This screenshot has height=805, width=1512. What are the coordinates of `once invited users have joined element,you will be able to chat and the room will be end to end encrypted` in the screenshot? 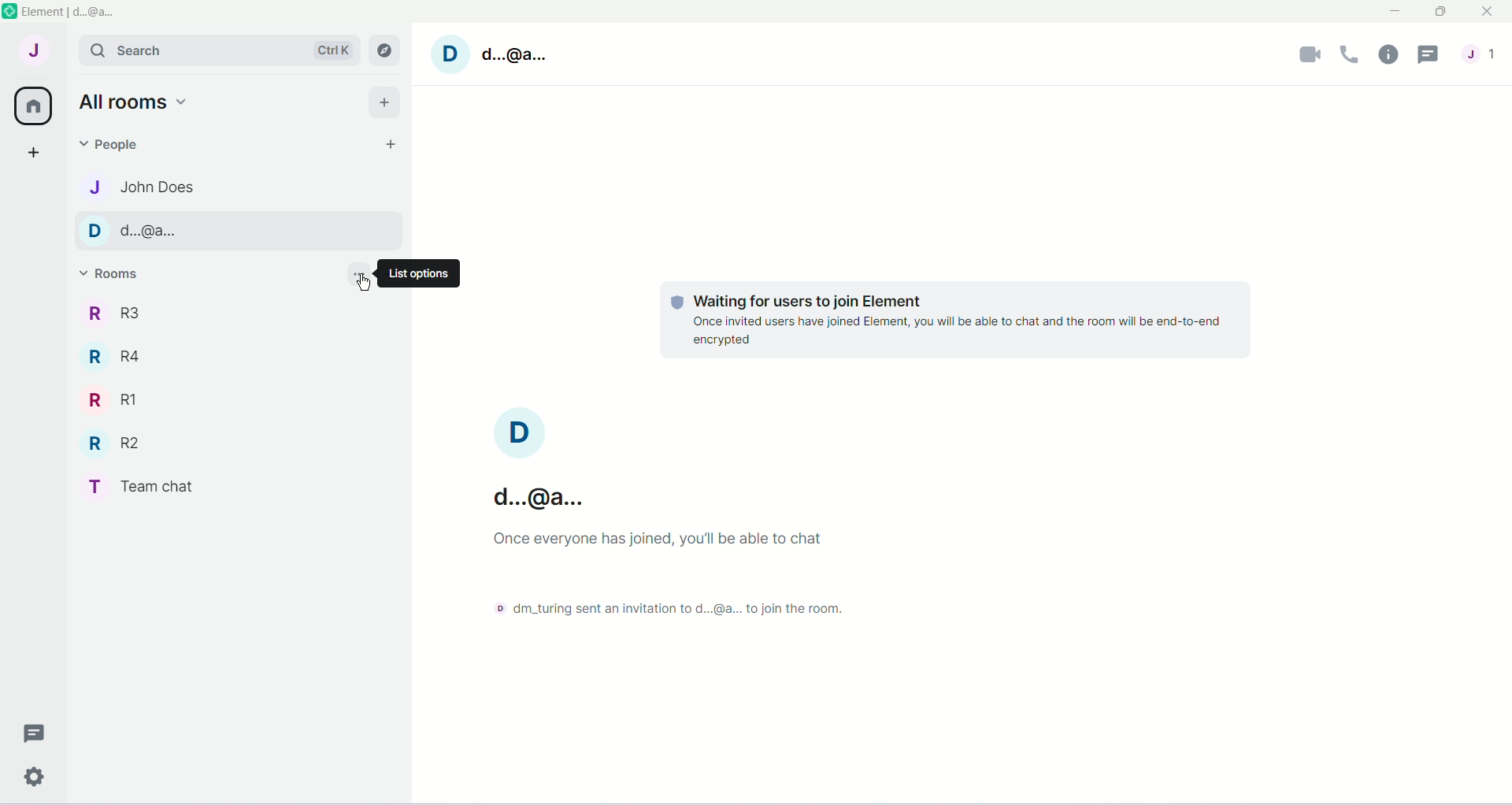 It's located at (957, 331).